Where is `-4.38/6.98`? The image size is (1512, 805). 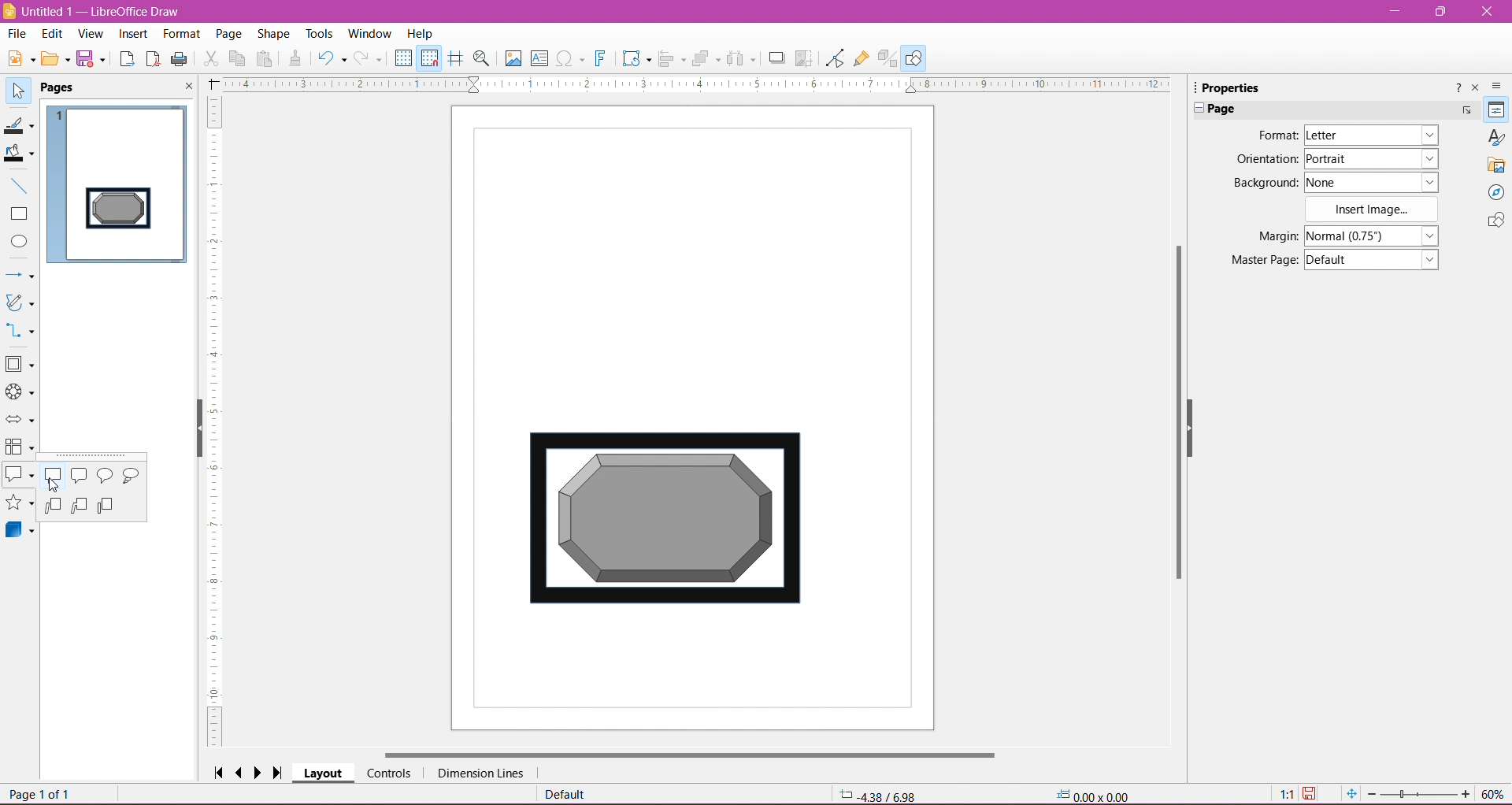 -4.38/6.98 is located at coordinates (876, 794).